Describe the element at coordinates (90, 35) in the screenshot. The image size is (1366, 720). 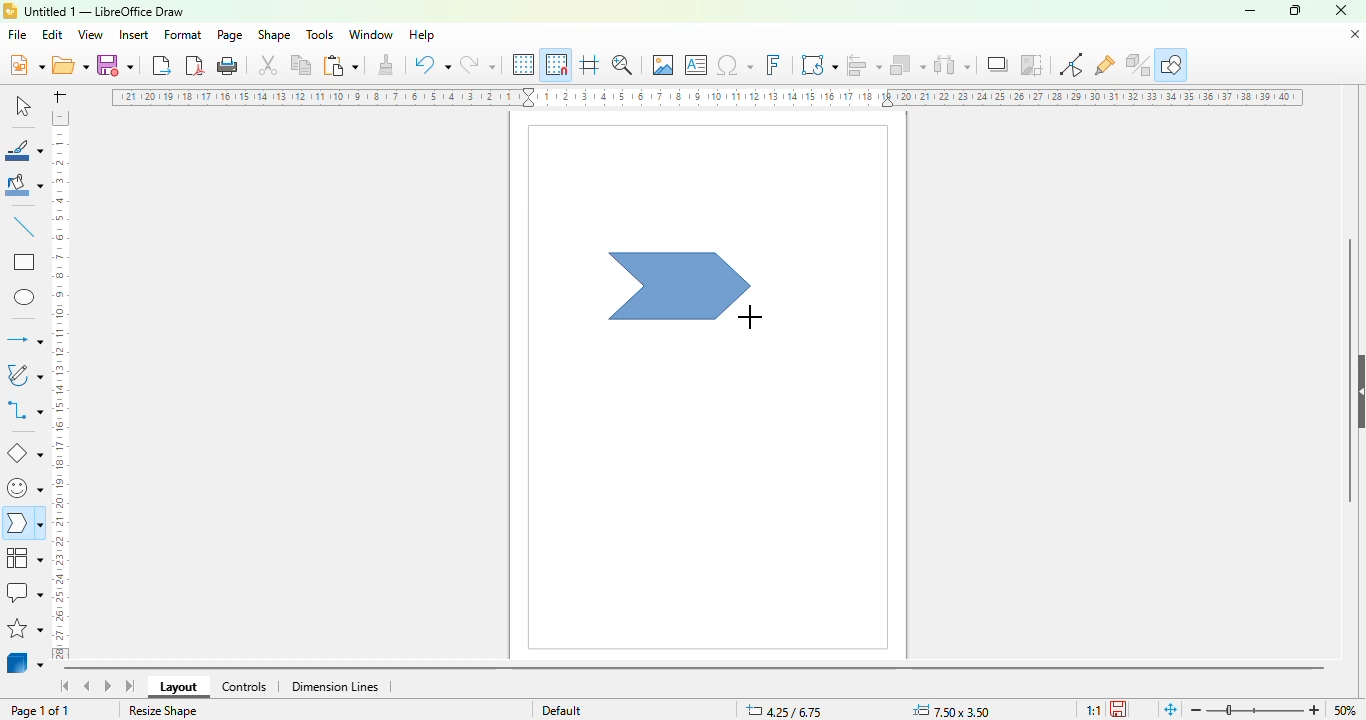
I see `view` at that location.